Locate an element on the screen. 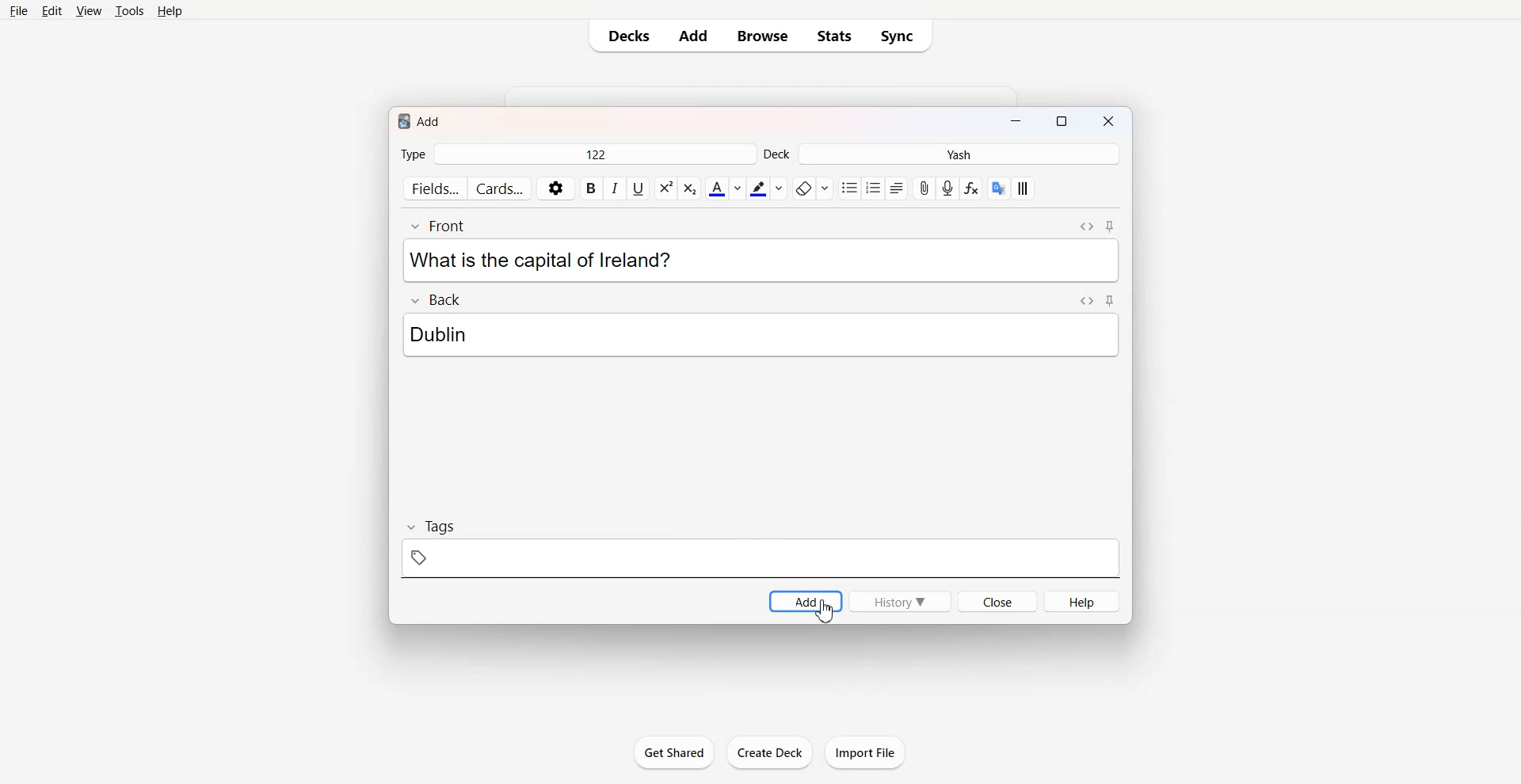  Italic is located at coordinates (614, 188).